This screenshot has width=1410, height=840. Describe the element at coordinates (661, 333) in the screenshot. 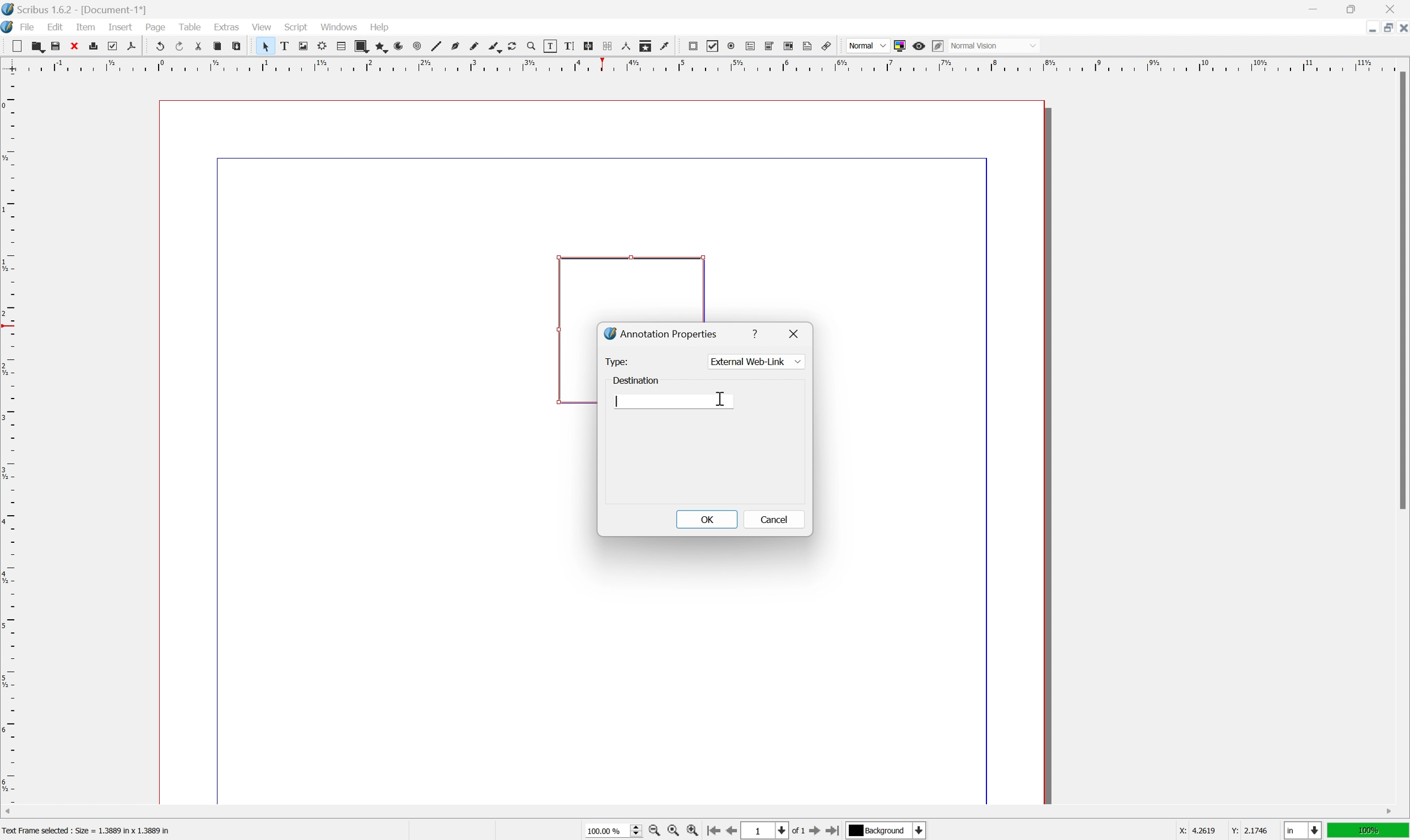

I see `annotation properties` at that location.